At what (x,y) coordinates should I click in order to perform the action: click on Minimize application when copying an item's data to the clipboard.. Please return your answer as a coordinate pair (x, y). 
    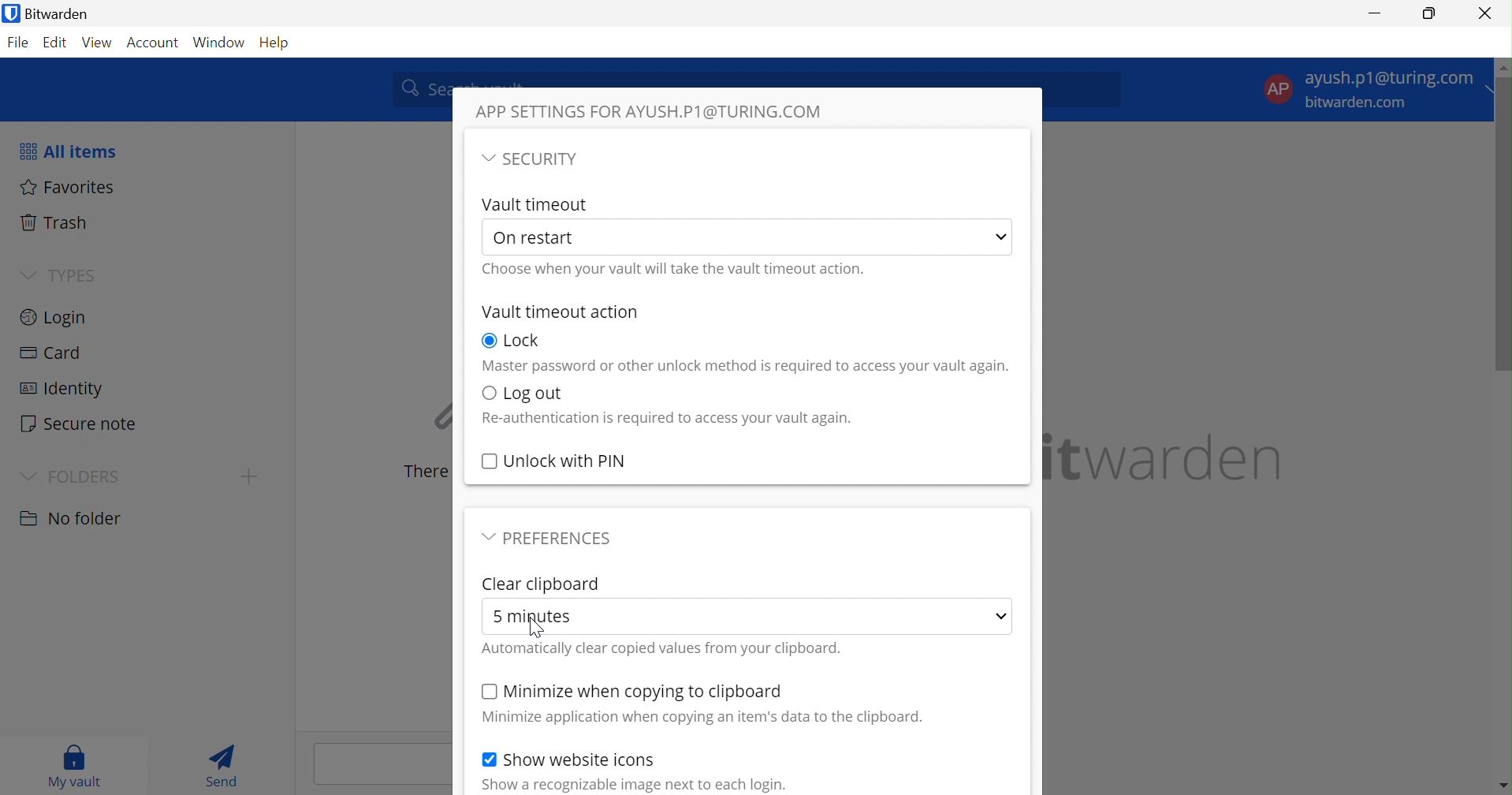
    Looking at the image, I should click on (706, 718).